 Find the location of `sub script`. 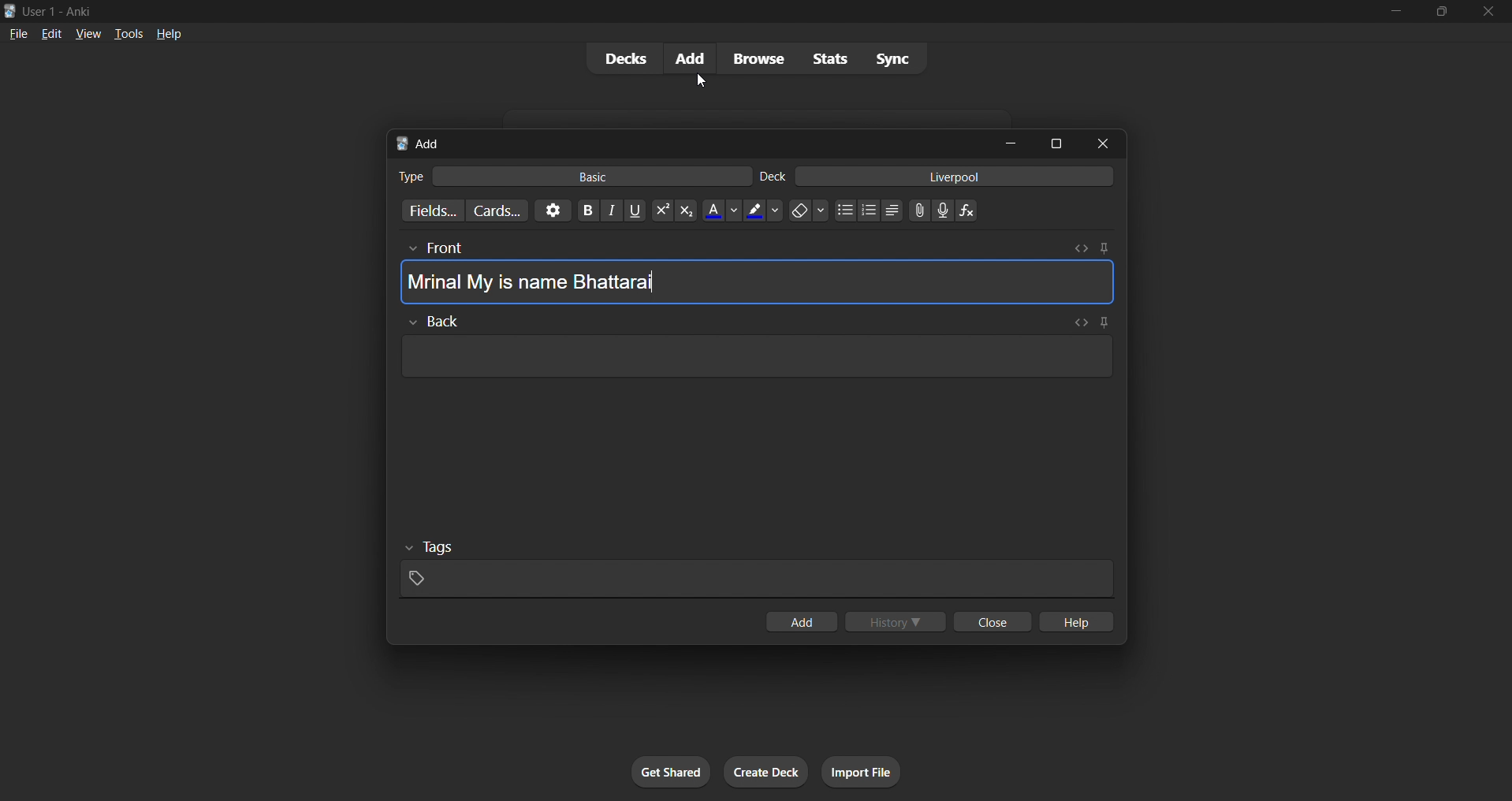

sub script is located at coordinates (685, 210).